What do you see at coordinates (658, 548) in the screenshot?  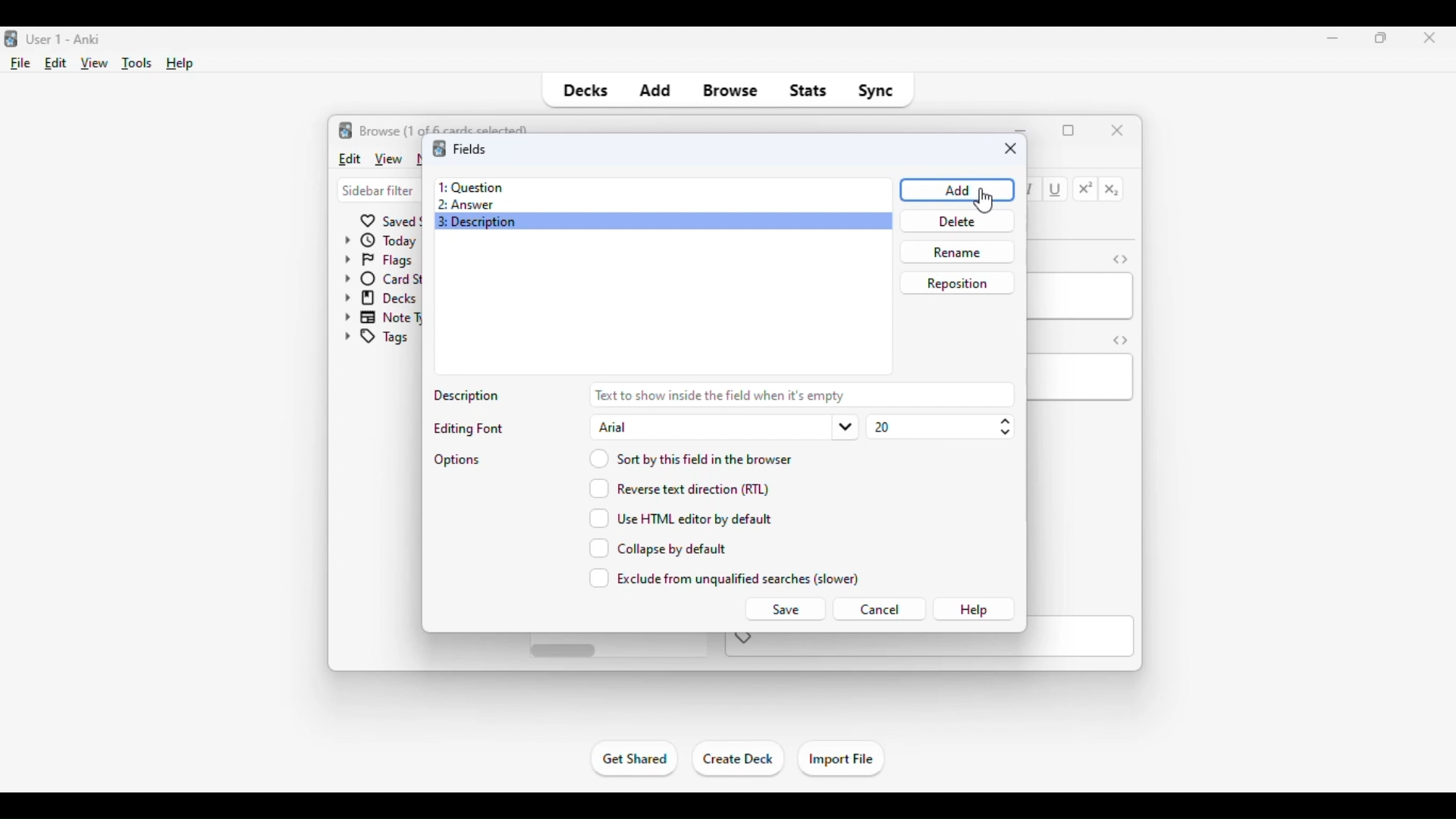 I see `collapse by default` at bounding box center [658, 548].